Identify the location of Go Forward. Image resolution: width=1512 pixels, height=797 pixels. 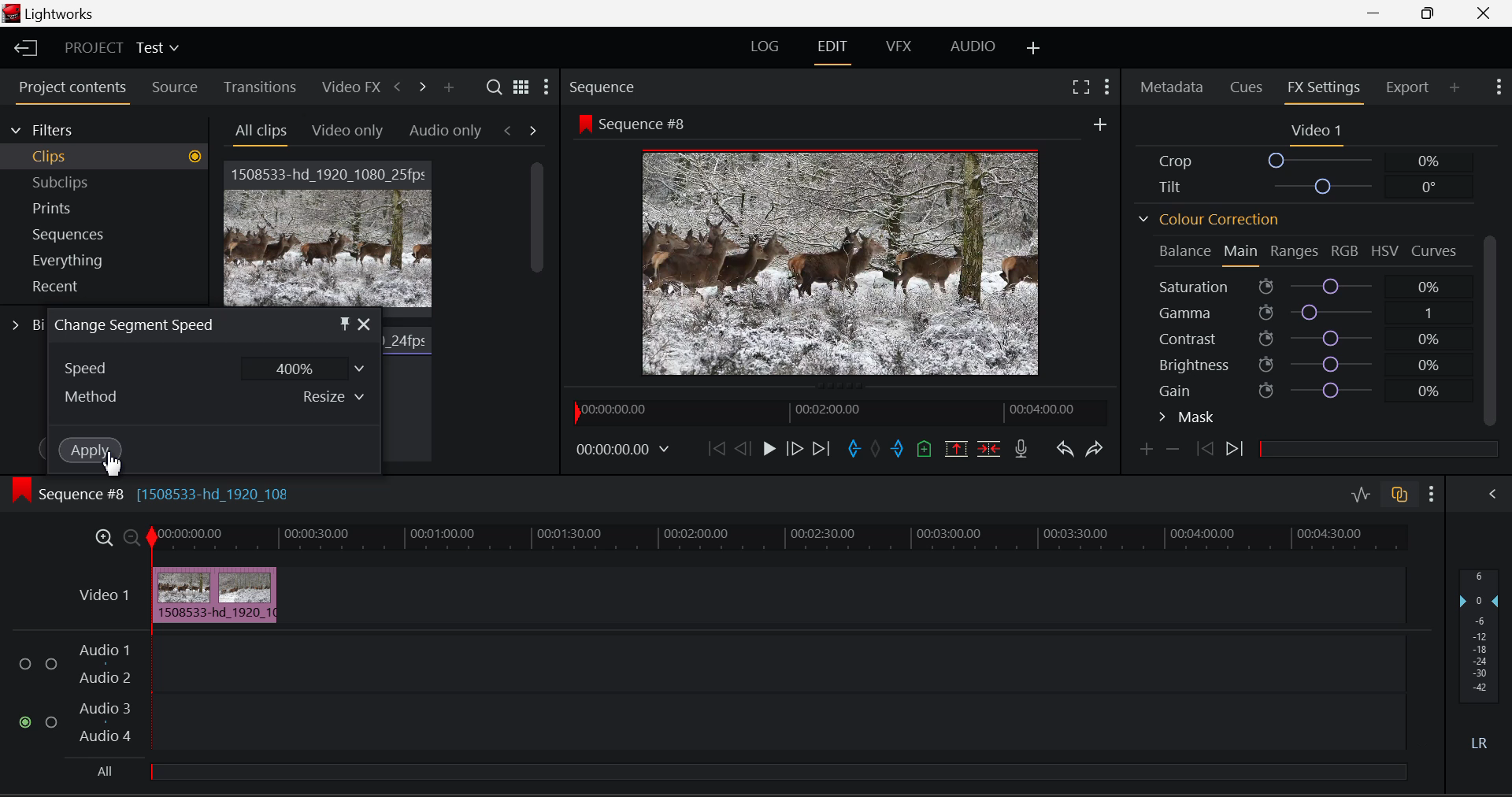
(798, 449).